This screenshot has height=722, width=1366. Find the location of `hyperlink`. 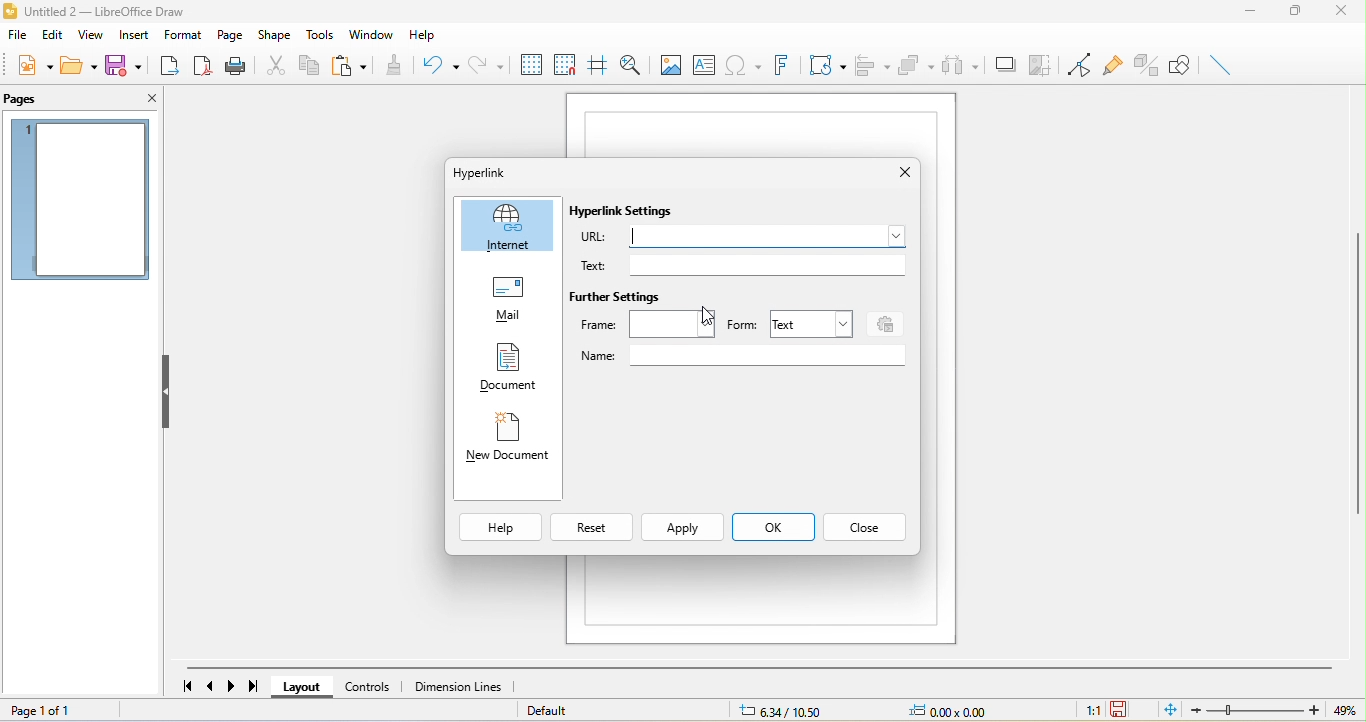

hyperlink is located at coordinates (481, 173).